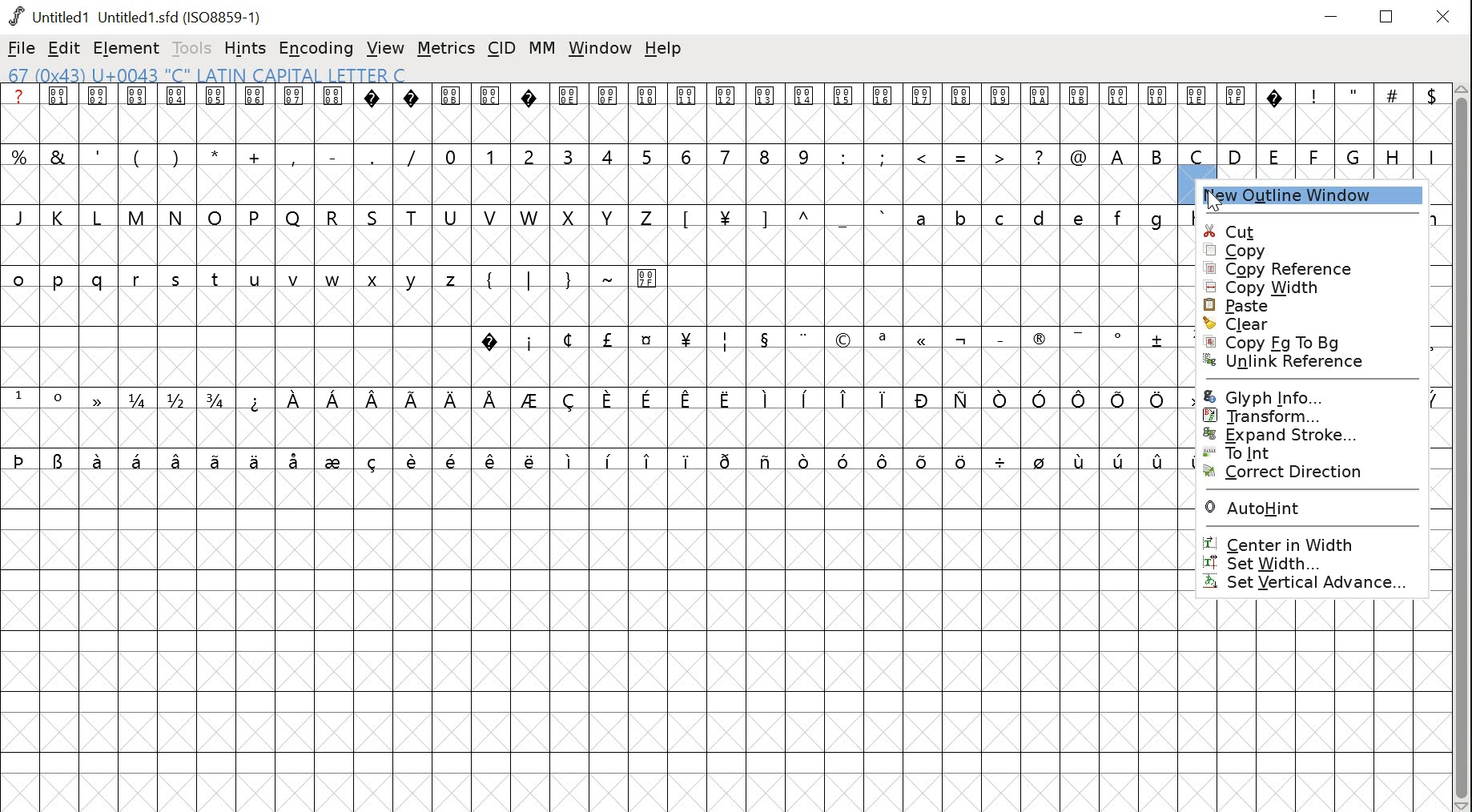  Describe the element at coordinates (1300, 304) in the screenshot. I see `paste` at that location.